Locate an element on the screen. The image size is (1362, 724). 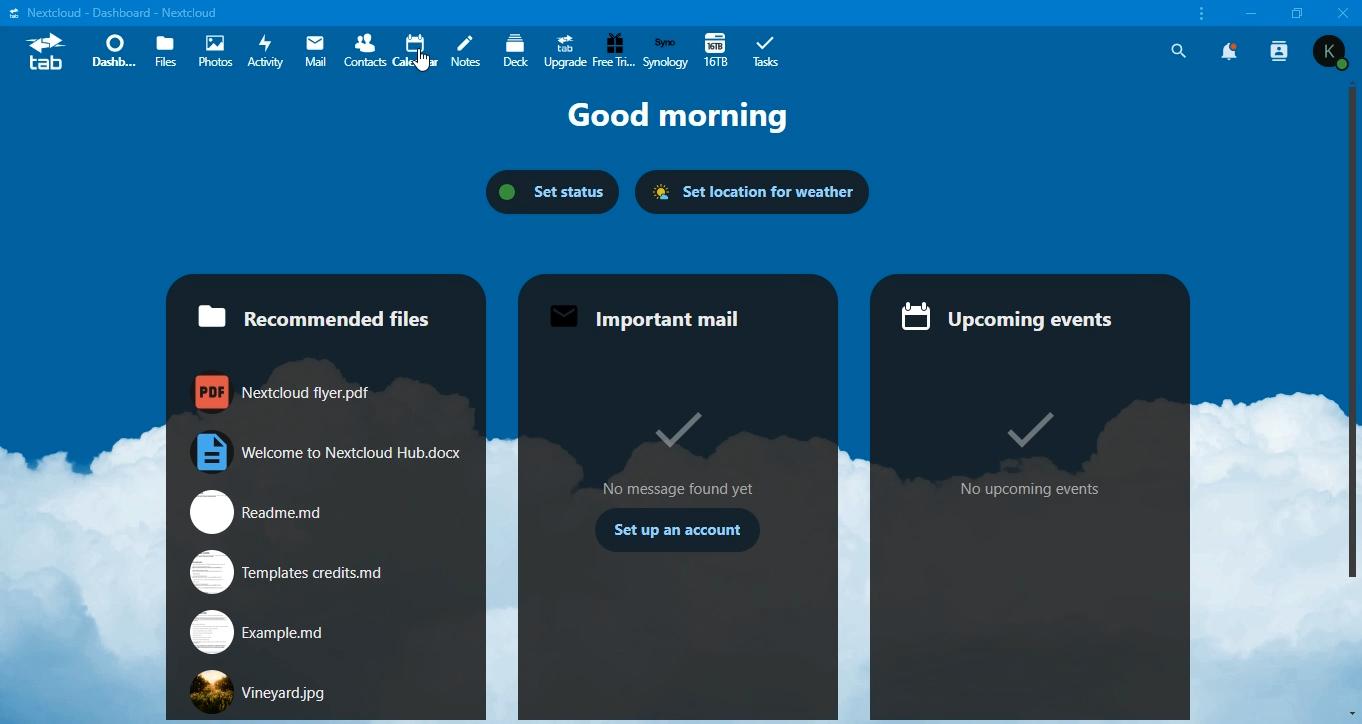
upgrade is located at coordinates (566, 50).